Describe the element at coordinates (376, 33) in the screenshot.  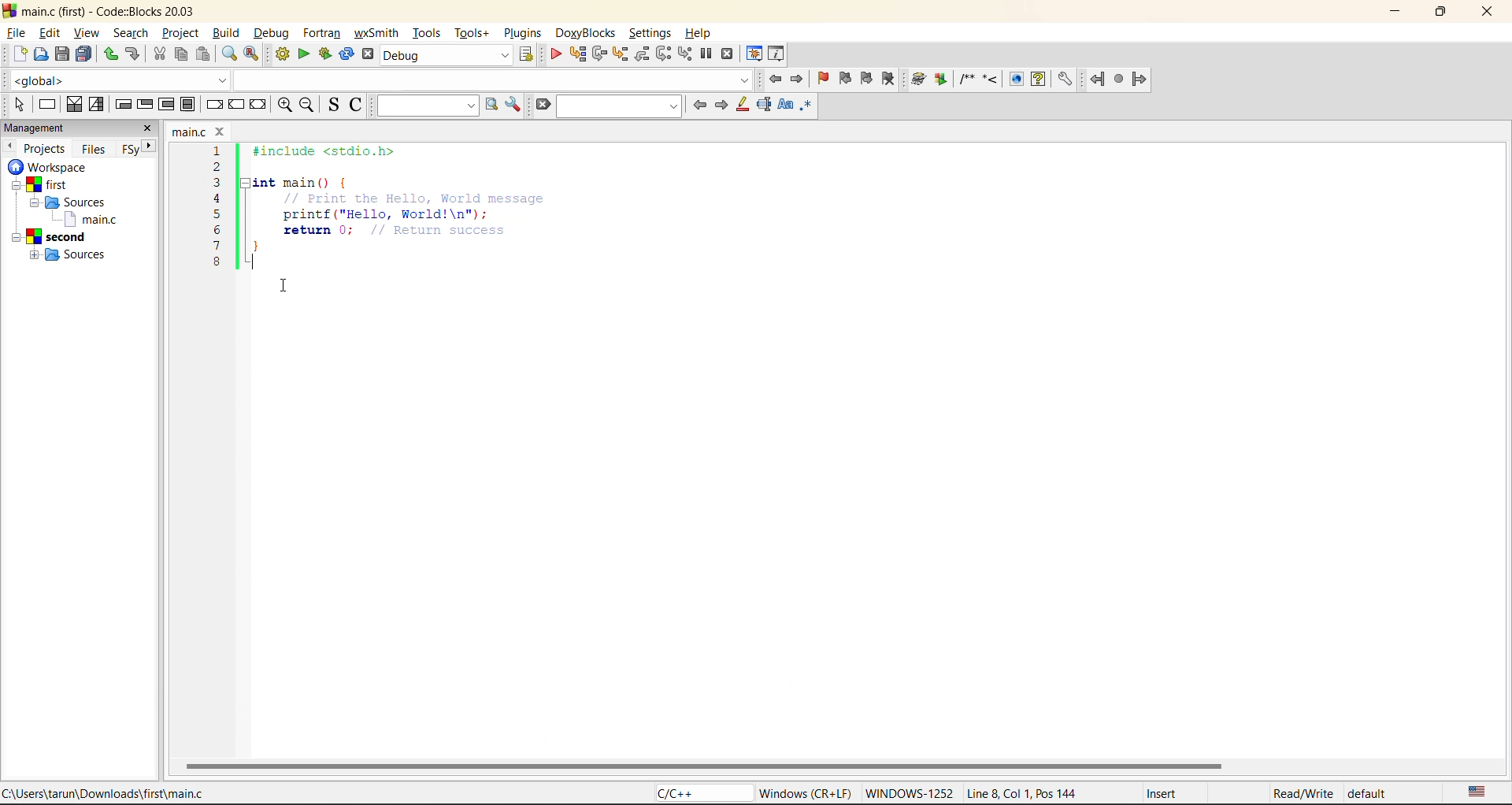
I see `wxsmith` at that location.